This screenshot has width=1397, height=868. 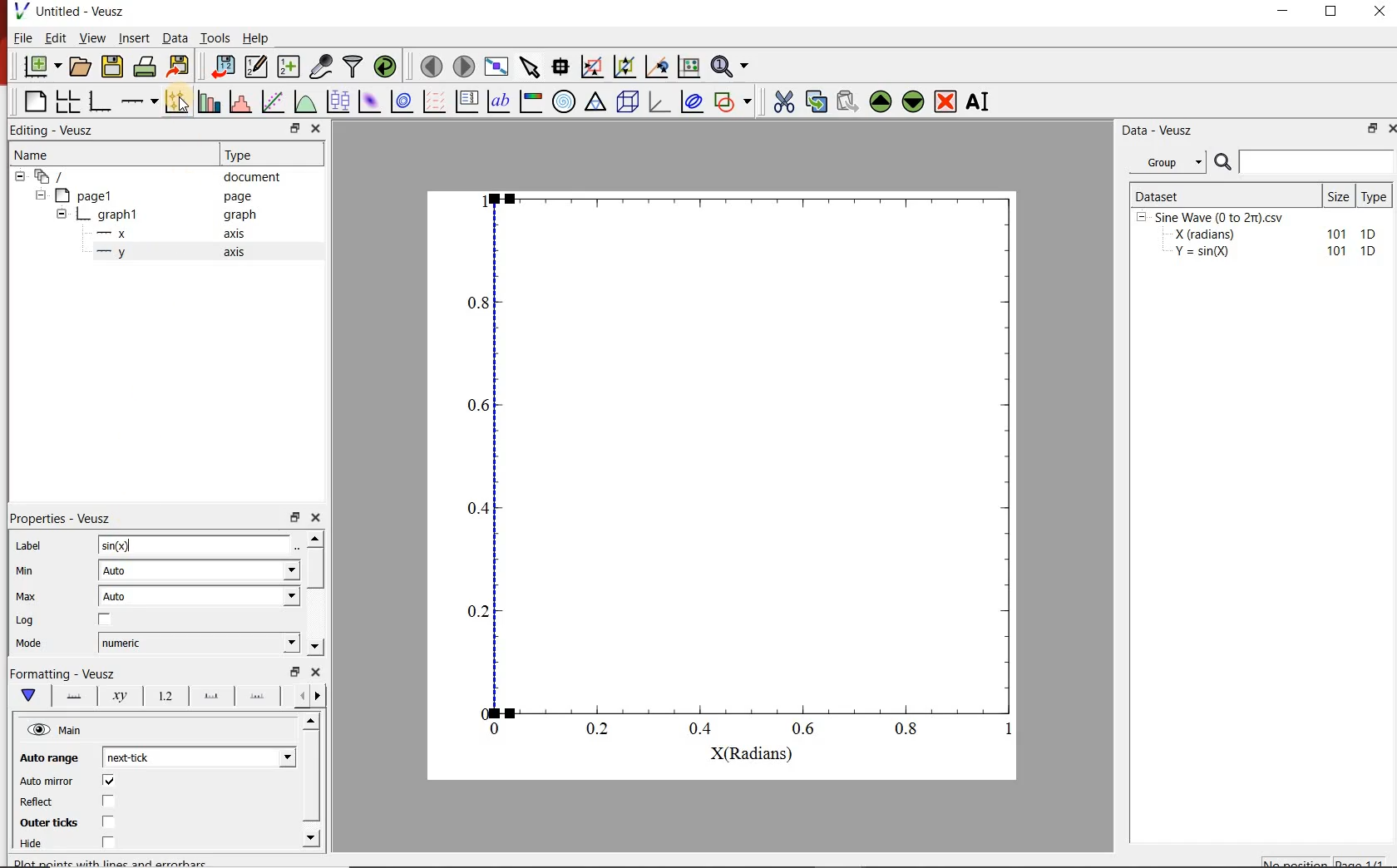 What do you see at coordinates (106, 620) in the screenshot?
I see `Checkbox` at bounding box center [106, 620].